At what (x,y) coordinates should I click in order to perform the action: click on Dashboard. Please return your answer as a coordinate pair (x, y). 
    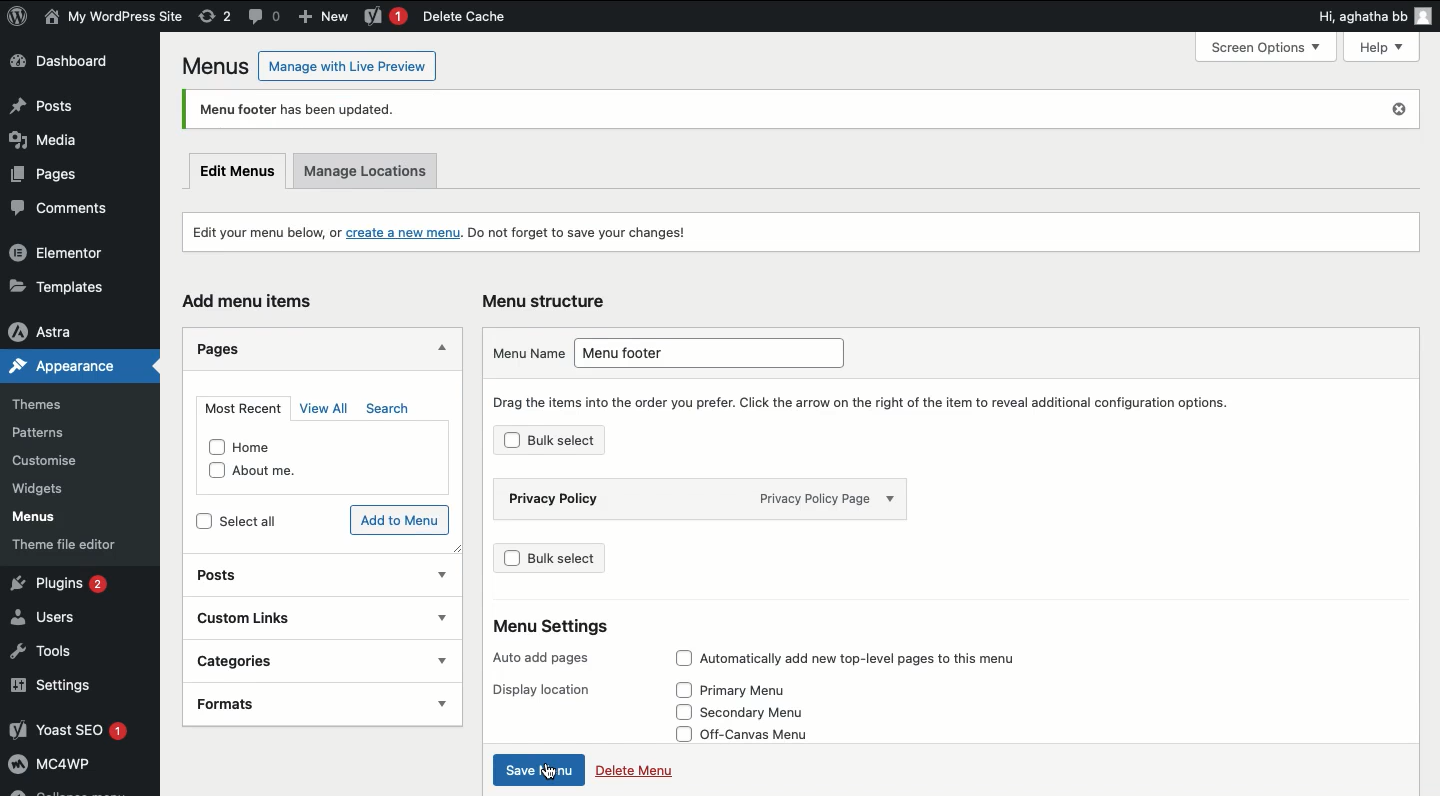
    Looking at the image, I should click on (71, 64).